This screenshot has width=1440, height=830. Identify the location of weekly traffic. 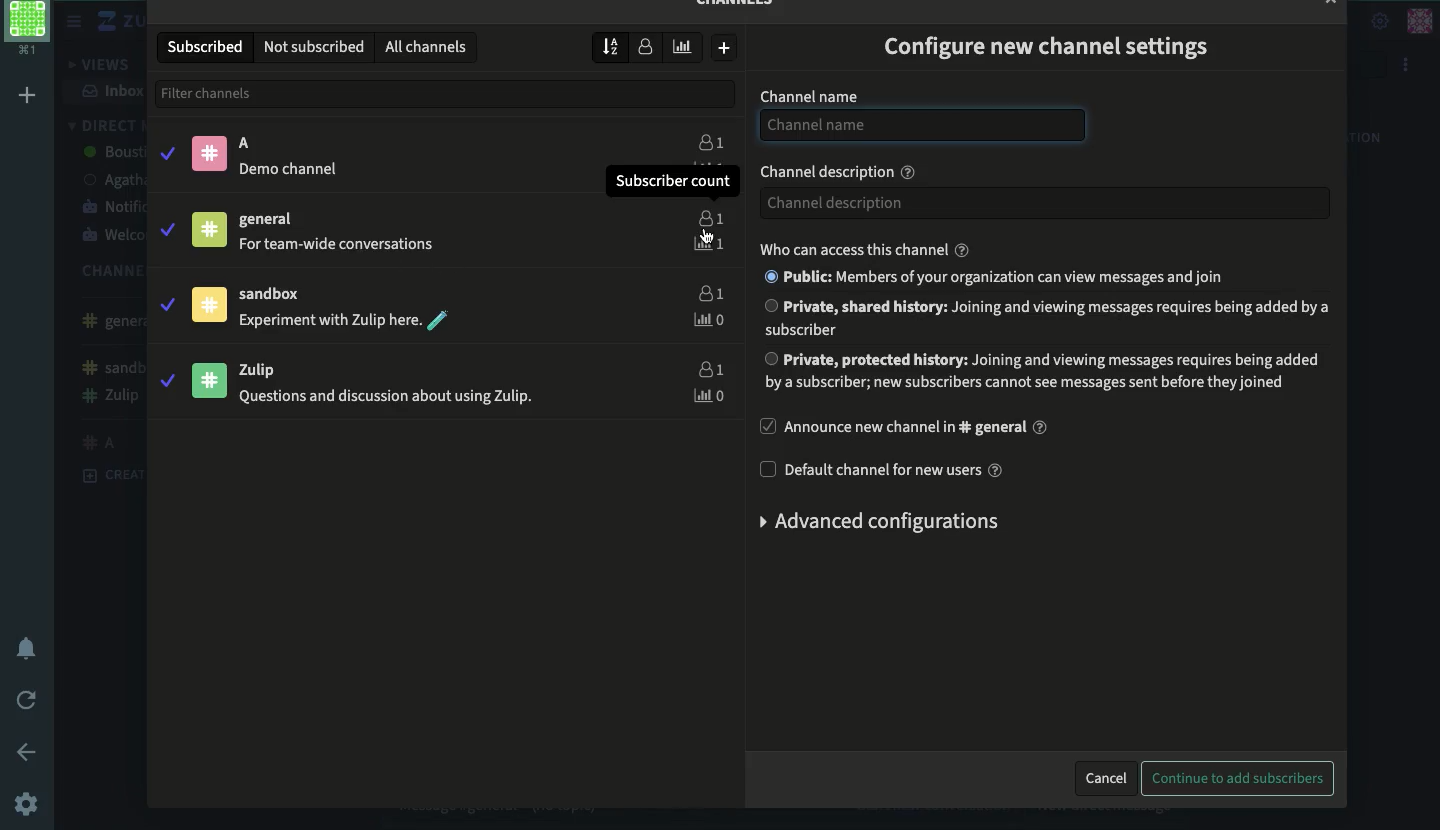
(683, 48).